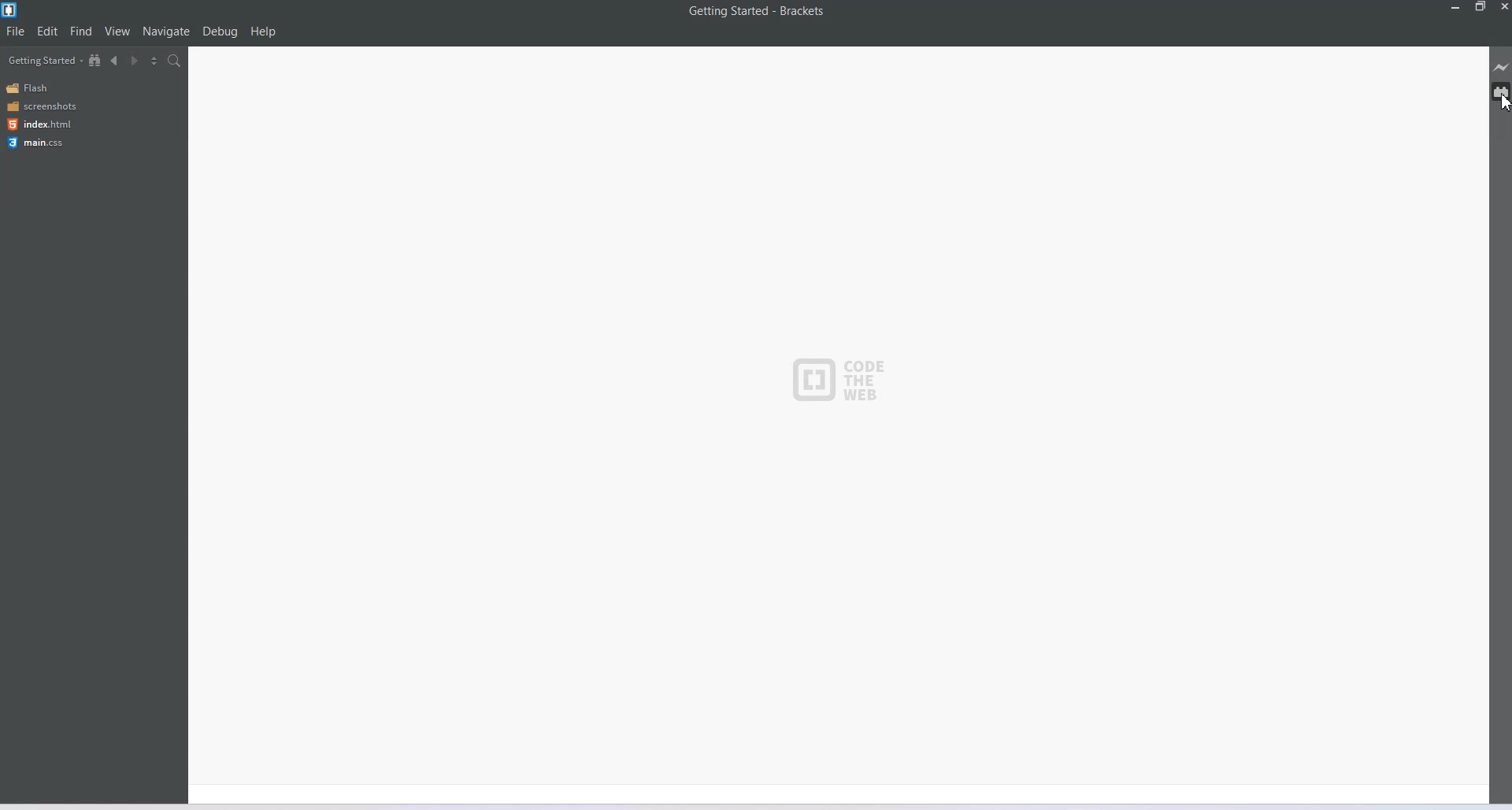  I want to click on Minimize, so click(1456, 7).